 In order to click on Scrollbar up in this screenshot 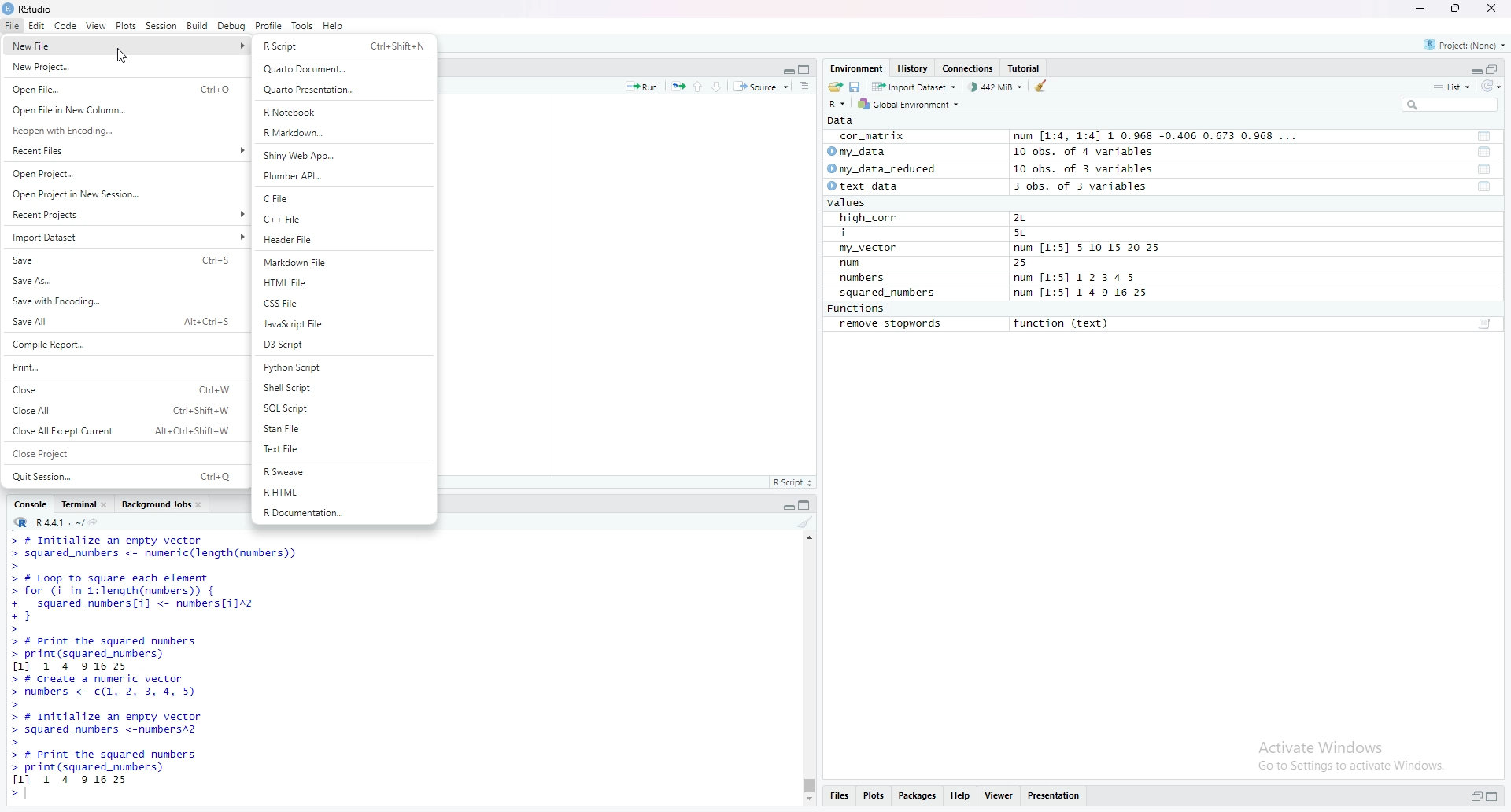, I will do `click(807, 537)`.